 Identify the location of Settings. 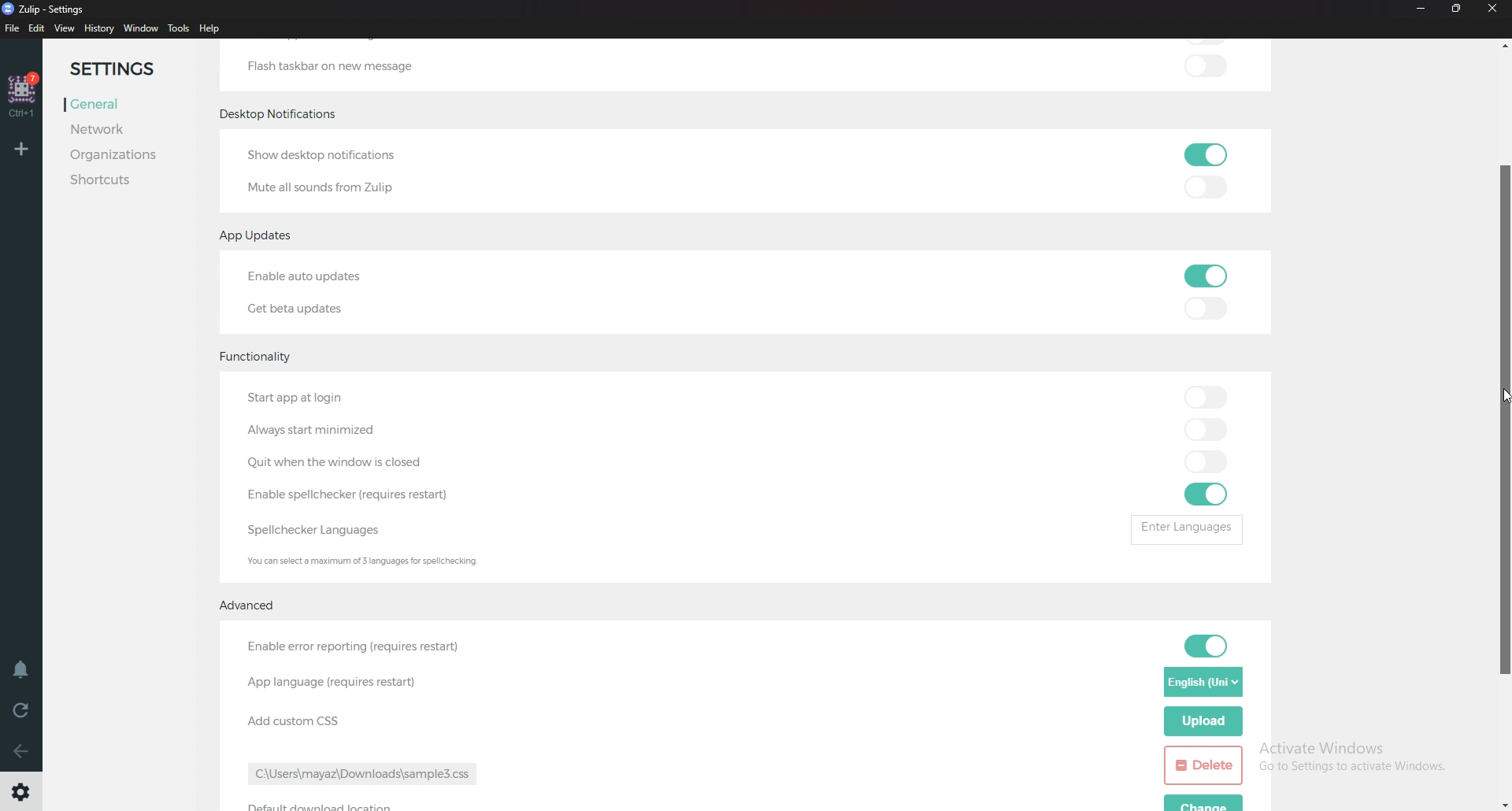
(24, 790).